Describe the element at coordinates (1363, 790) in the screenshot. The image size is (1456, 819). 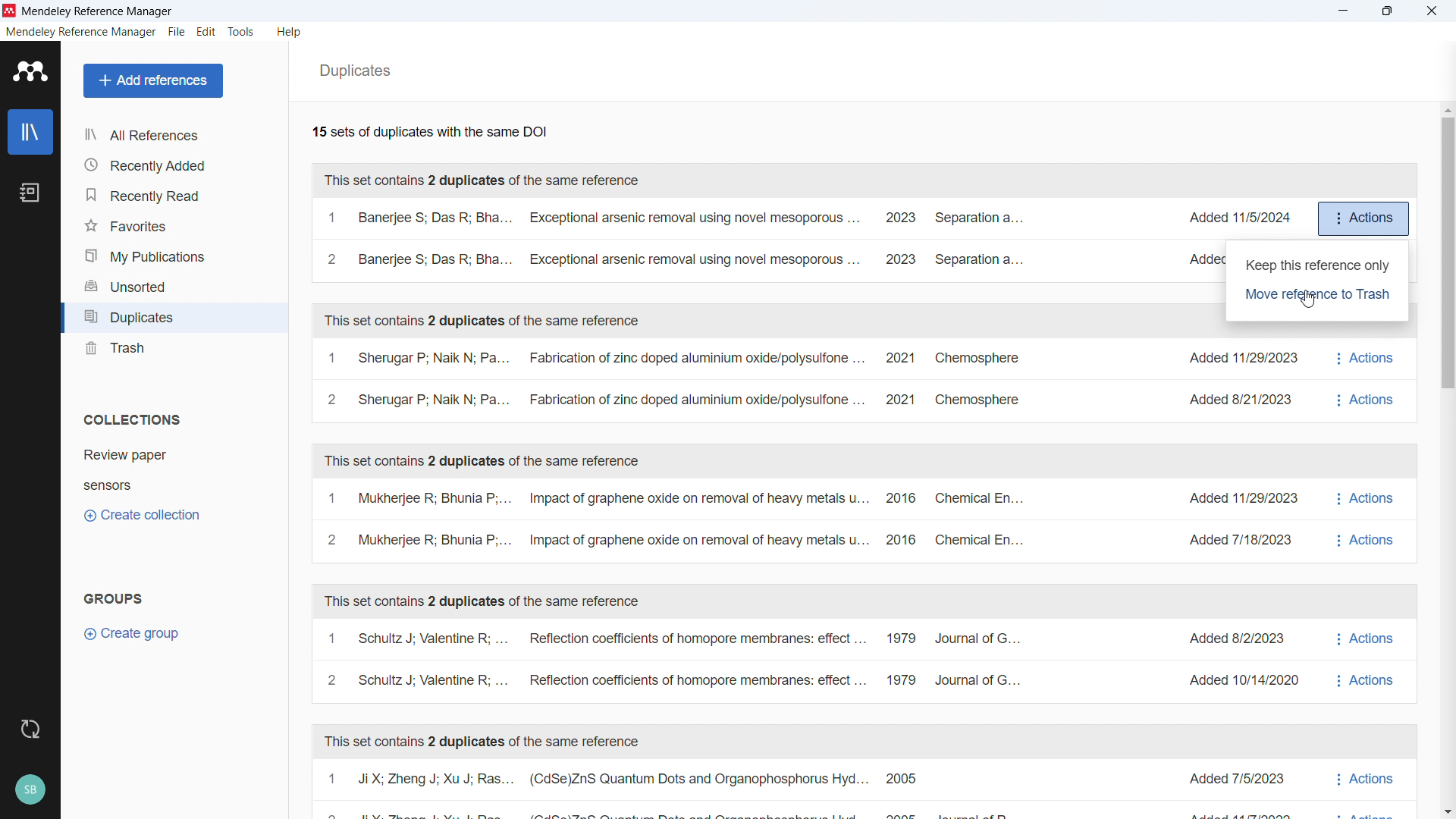
I see `Actions ` at that location.